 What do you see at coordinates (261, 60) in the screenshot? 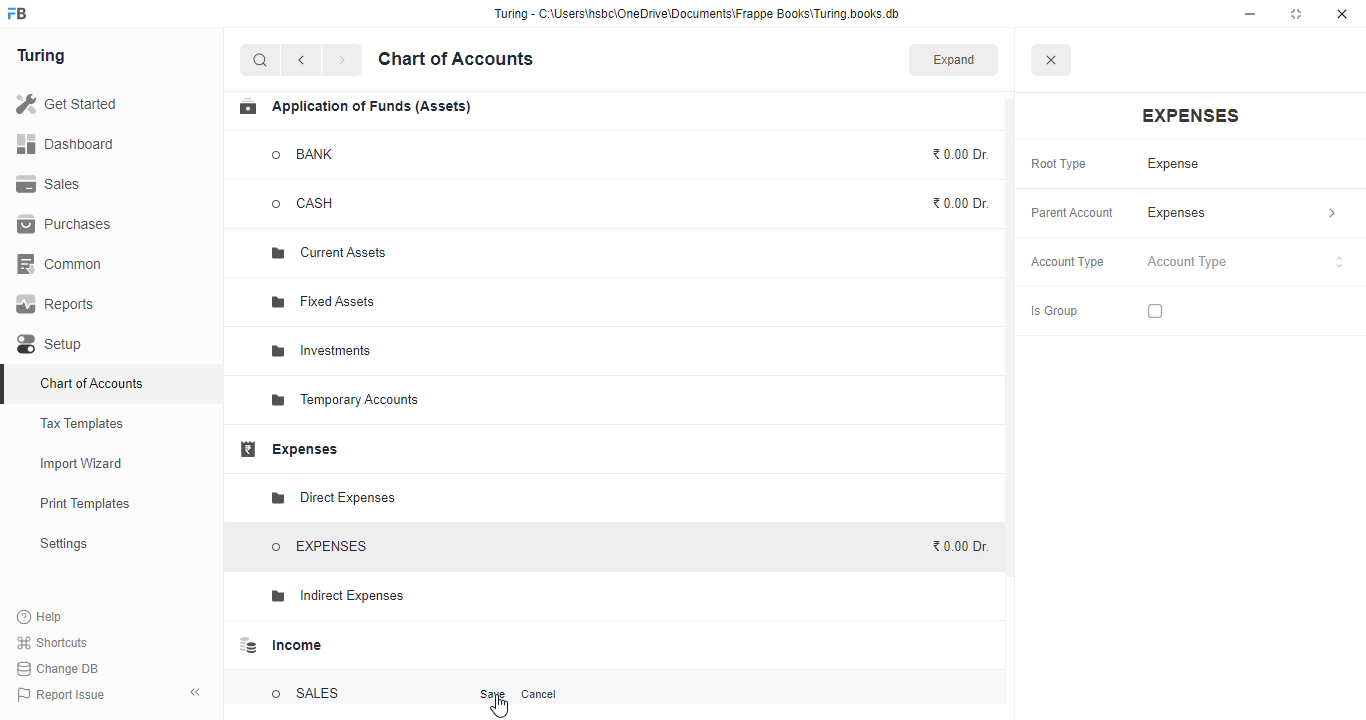
I see `search` at bounding box center [261, 60].